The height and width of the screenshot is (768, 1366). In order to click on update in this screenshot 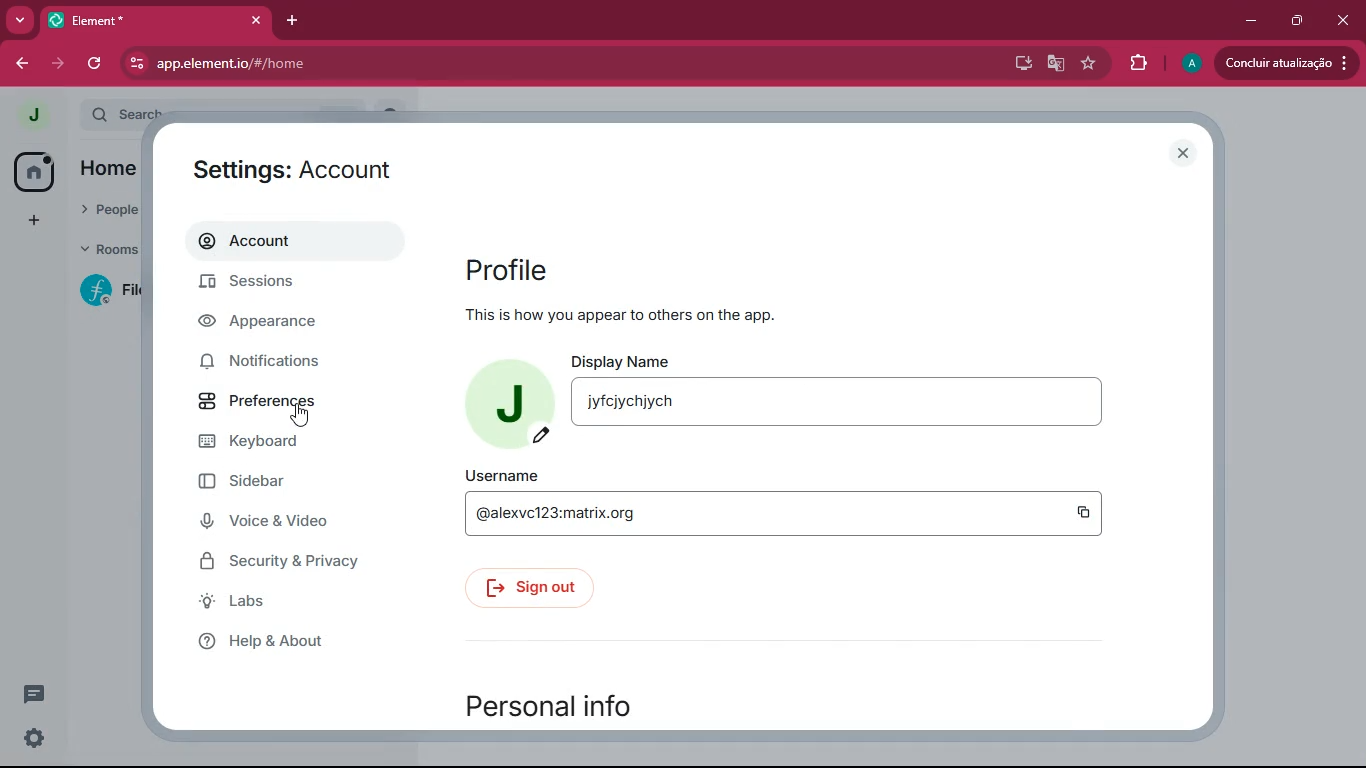, I will do `click(1283, 63)`.